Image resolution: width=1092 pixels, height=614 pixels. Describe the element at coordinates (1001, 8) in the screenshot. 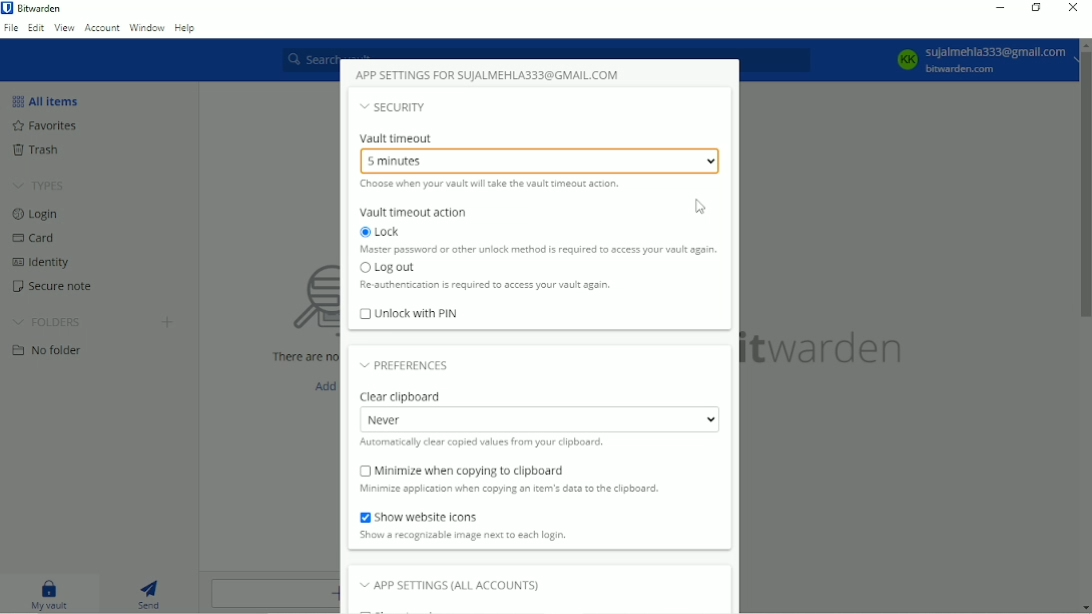

I see `Minimize` at that location.